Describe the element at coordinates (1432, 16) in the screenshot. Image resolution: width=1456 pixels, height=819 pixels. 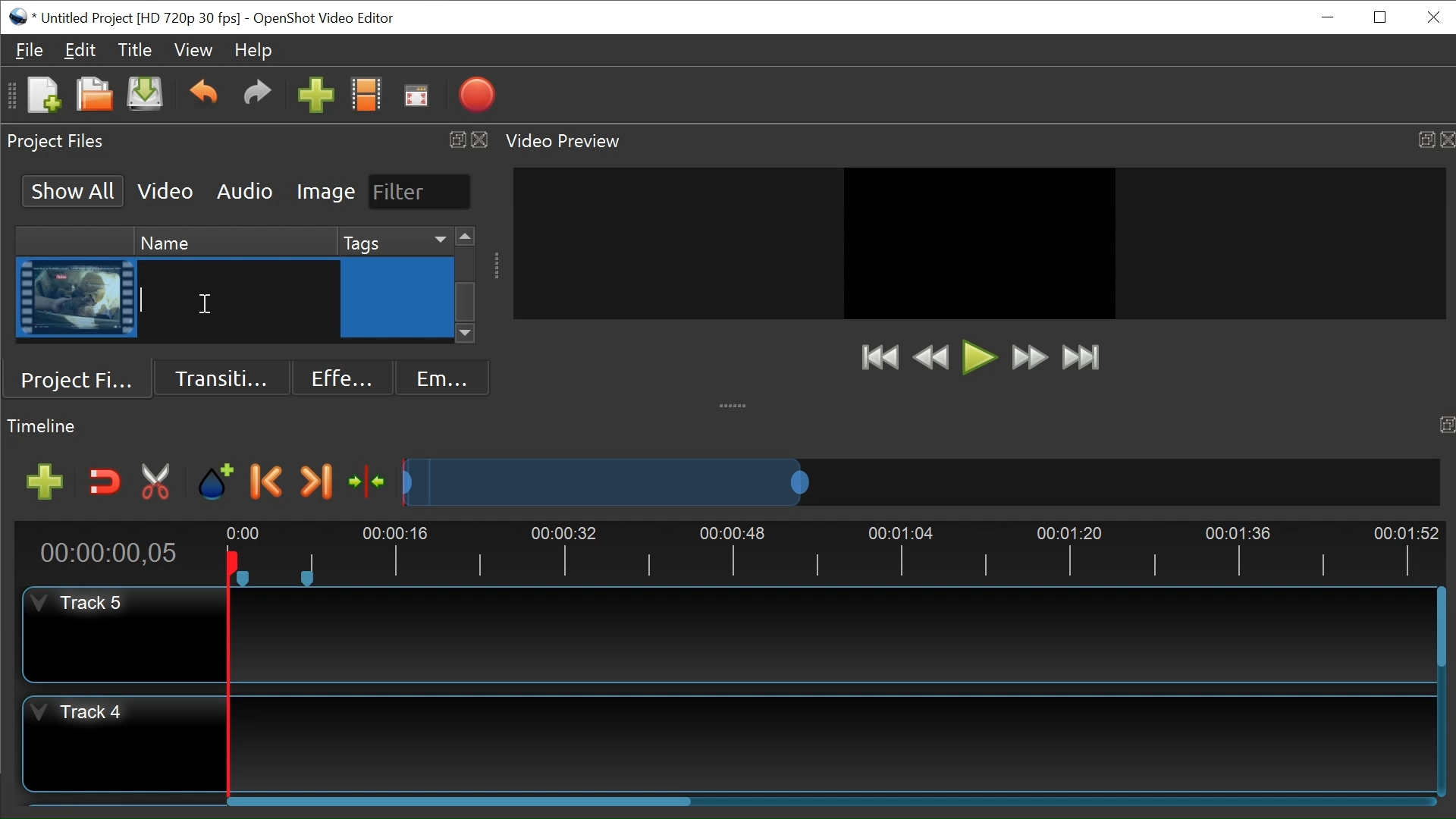
I see `Close` at that location.